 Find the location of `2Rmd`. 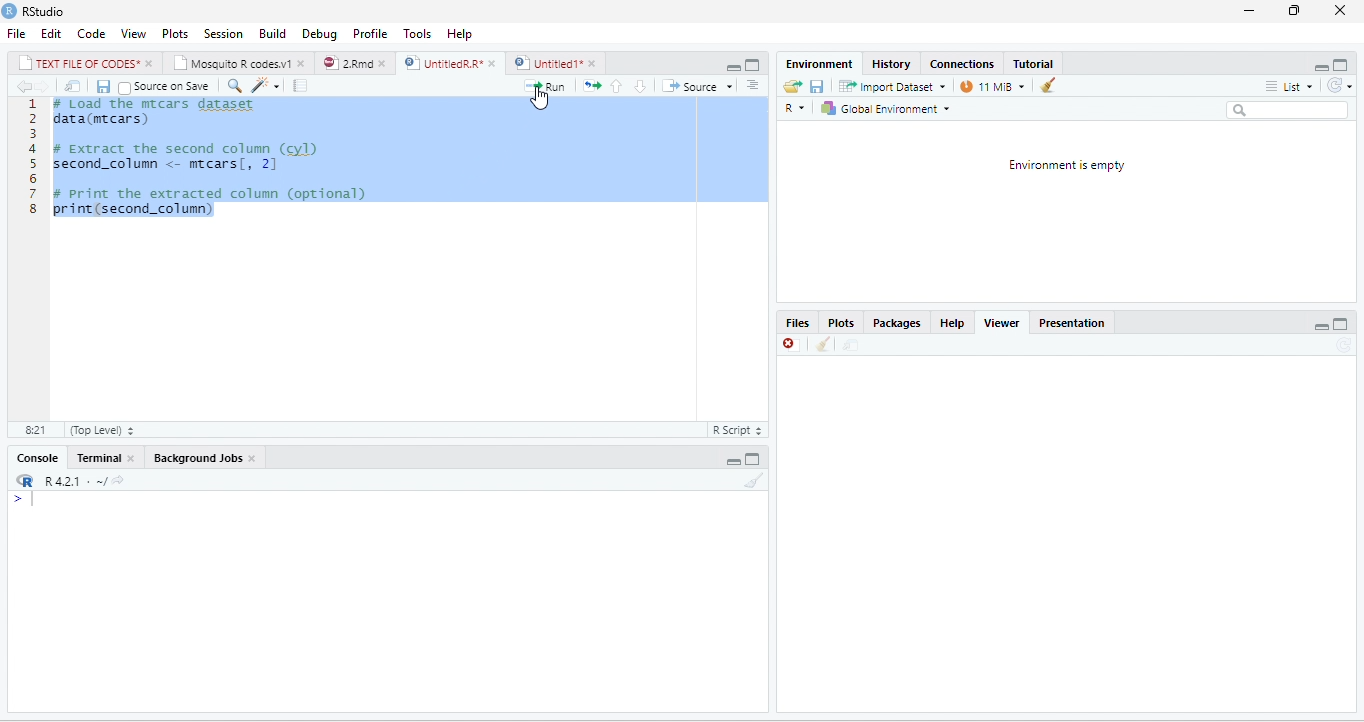

2Rmd is located at coordinates (346, 63).